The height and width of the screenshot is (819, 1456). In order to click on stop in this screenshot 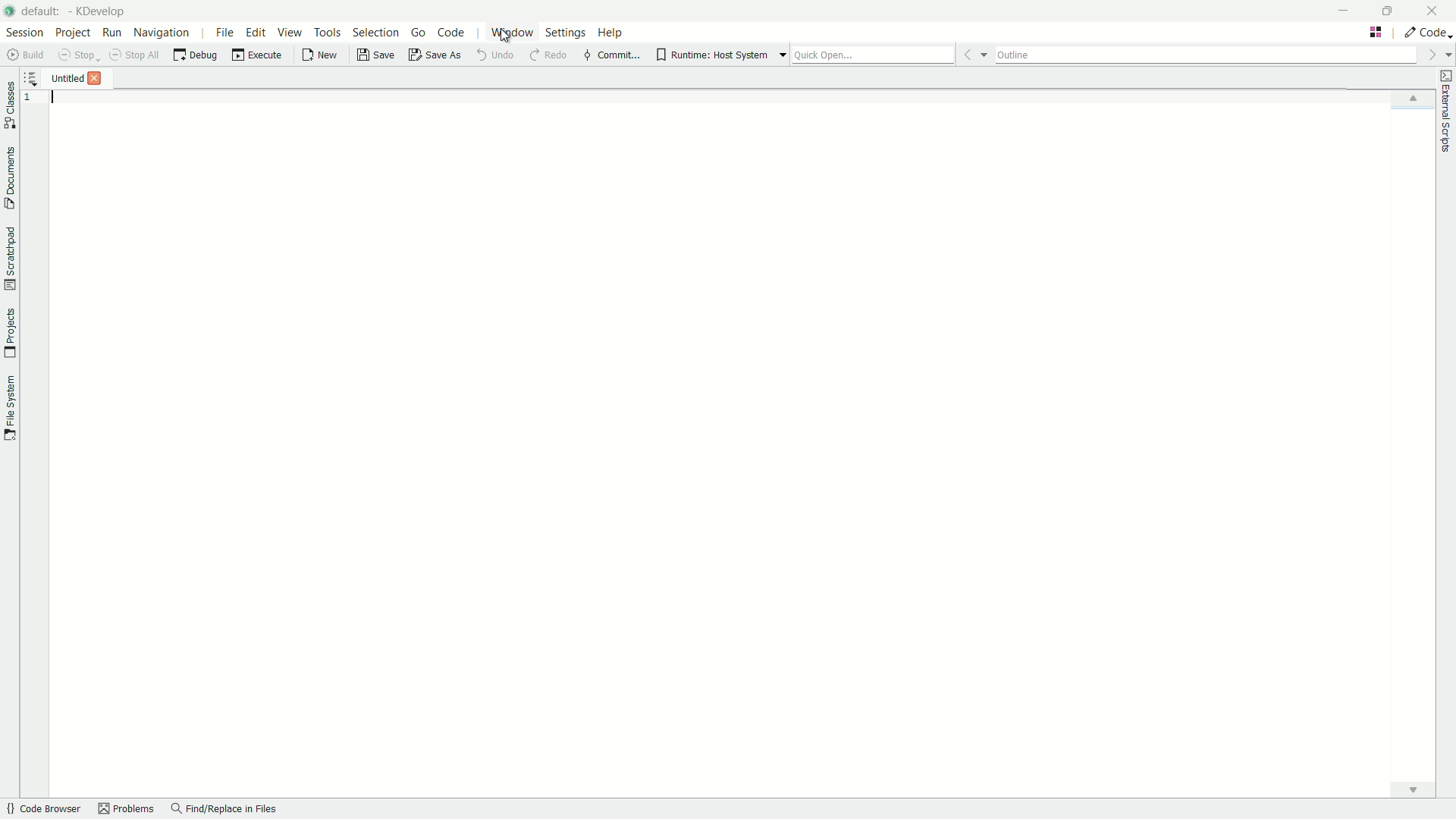, I will do `click(77, 54)`.